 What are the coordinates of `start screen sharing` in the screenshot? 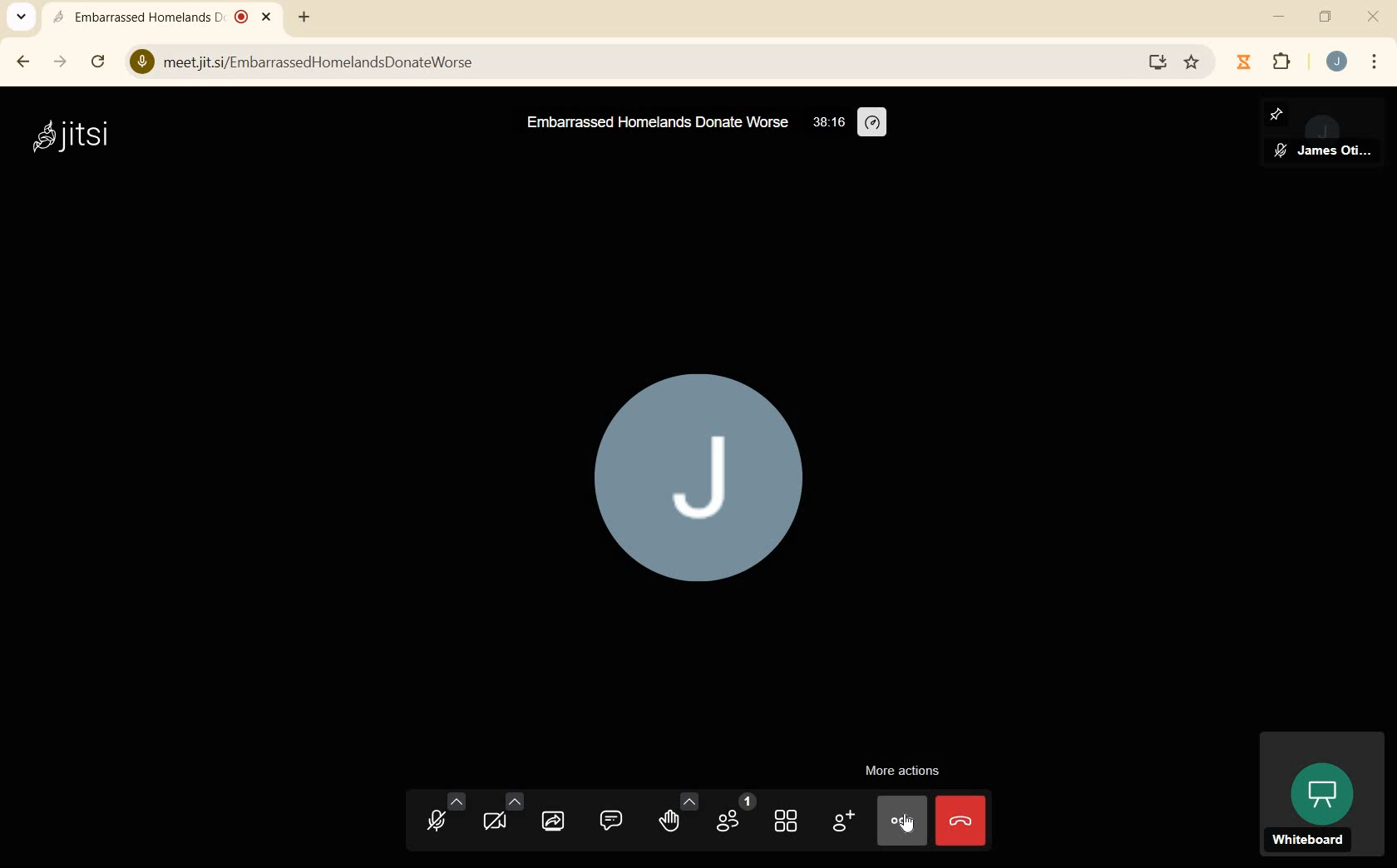 It's located at (555, 820).